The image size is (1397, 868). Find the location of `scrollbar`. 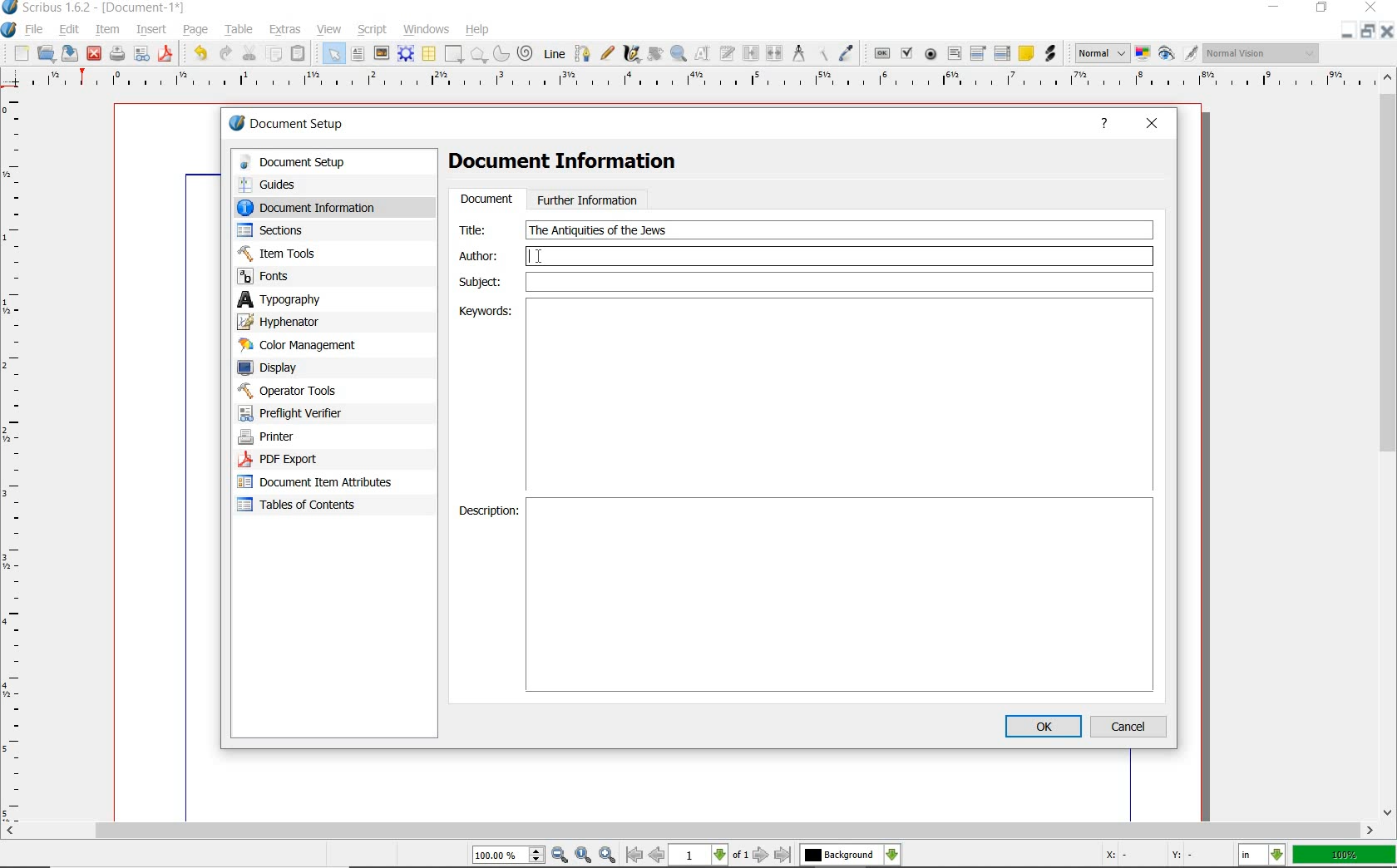

scrollbar is located at coordinates (1389, 446).